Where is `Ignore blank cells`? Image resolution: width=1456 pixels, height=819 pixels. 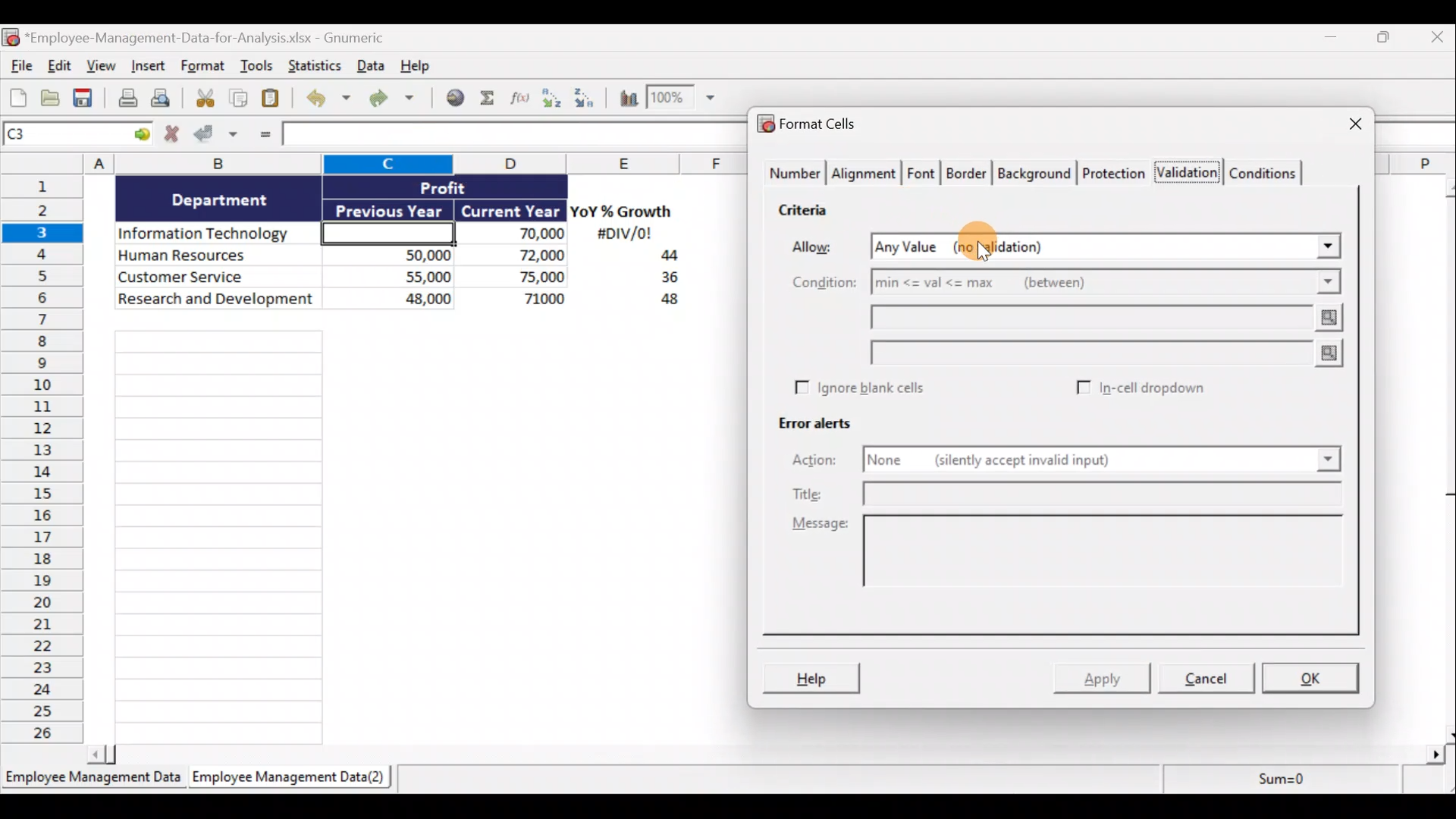 Ignore blank cells is located at coordinates (882, 388).